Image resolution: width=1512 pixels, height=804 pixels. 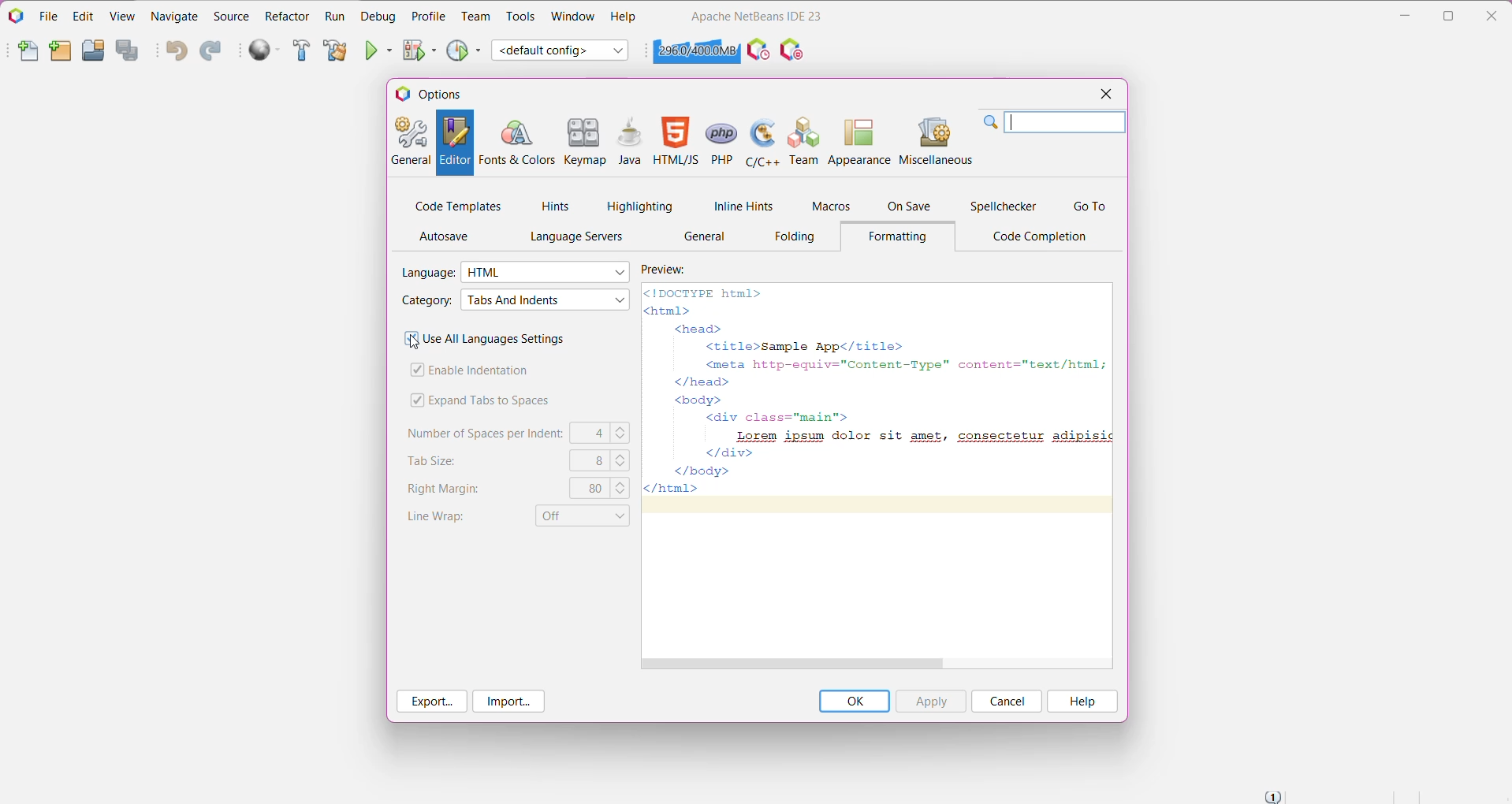 I want to click on <div class="main">, so click(x=777, y=418).